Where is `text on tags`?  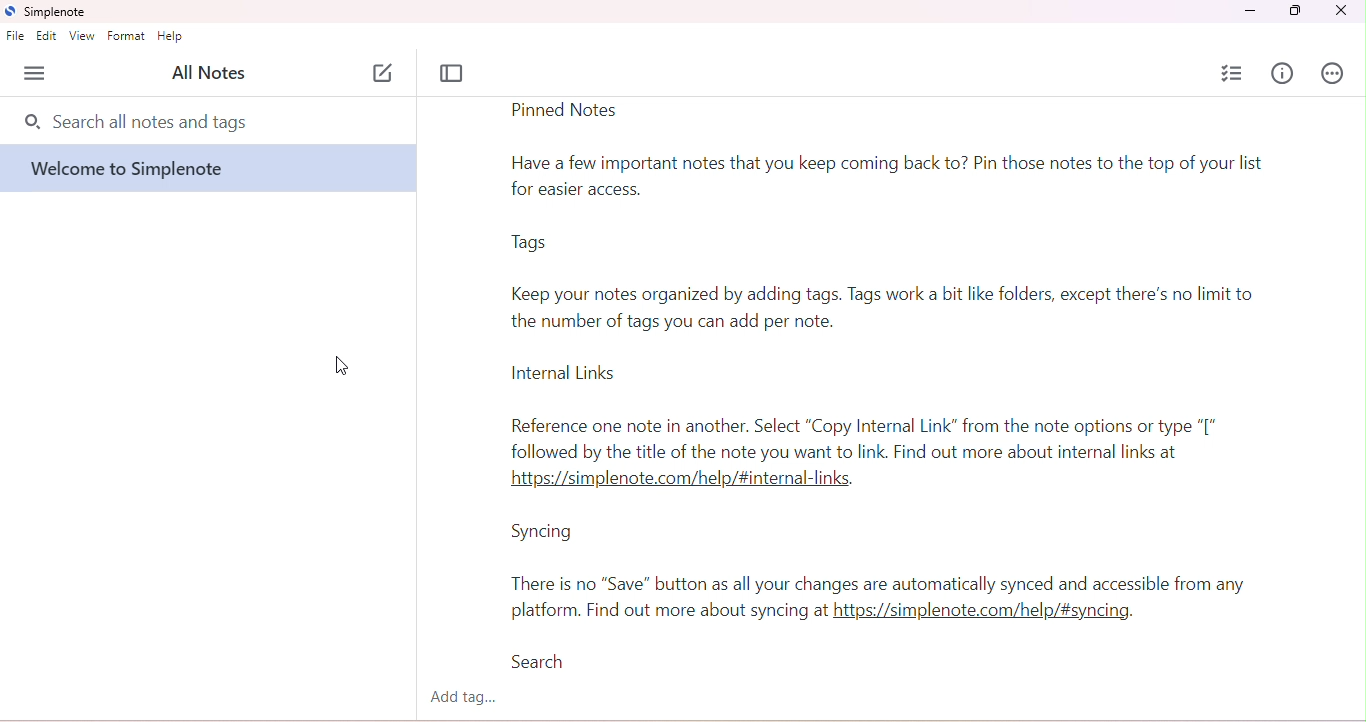 text on tags is located at coordinates (889, 305).